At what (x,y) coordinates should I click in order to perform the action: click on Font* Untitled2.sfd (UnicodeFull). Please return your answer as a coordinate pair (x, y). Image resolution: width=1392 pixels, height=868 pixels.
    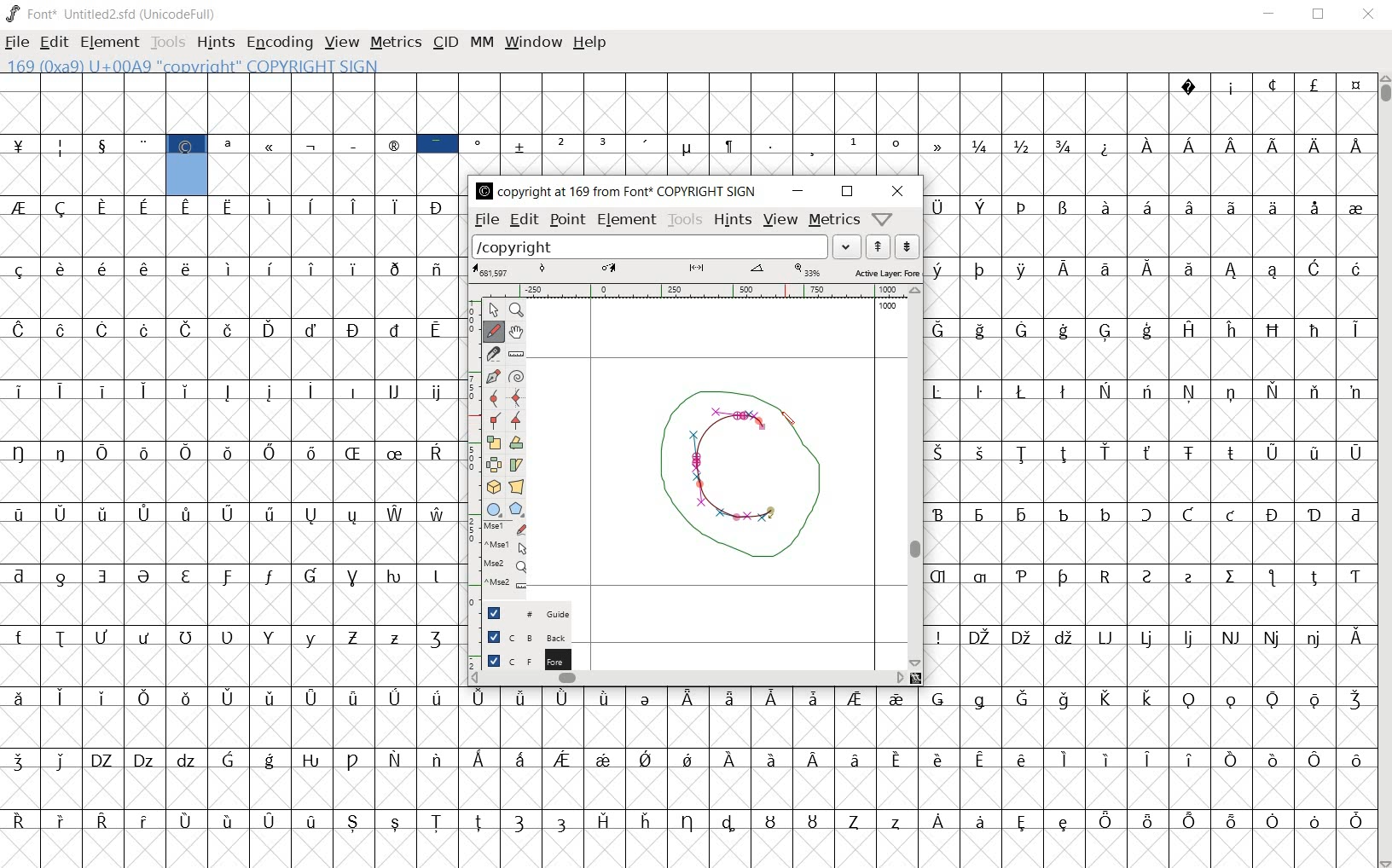
    Looking at the image, I should click on (113, 14).